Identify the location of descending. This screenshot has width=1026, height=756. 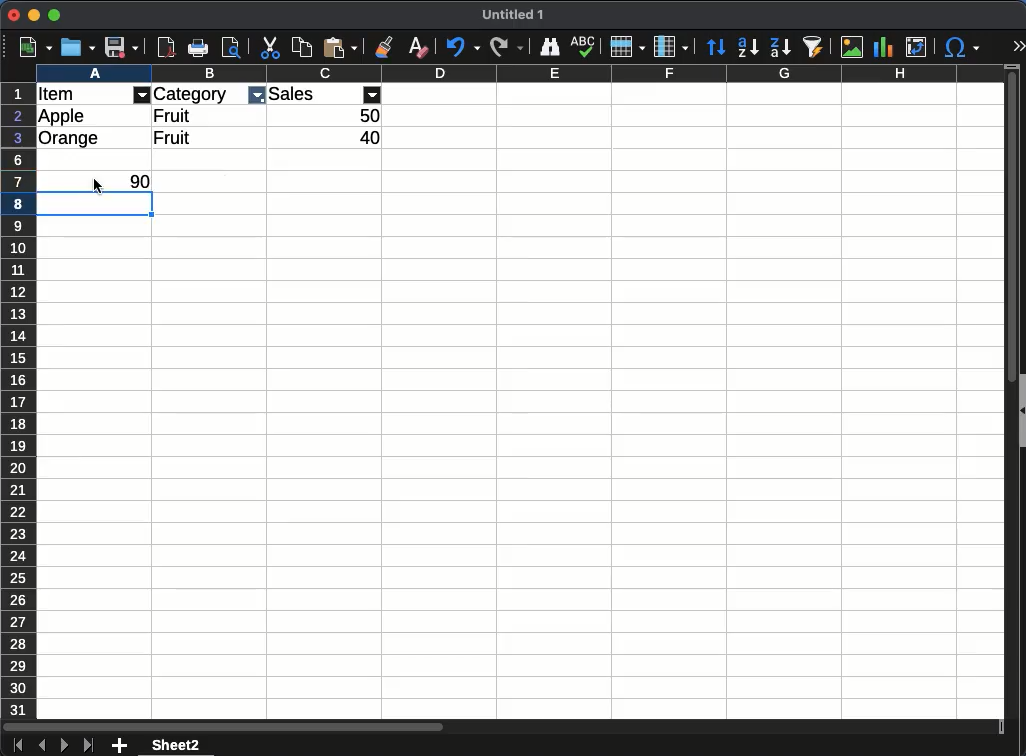
(747, 48).